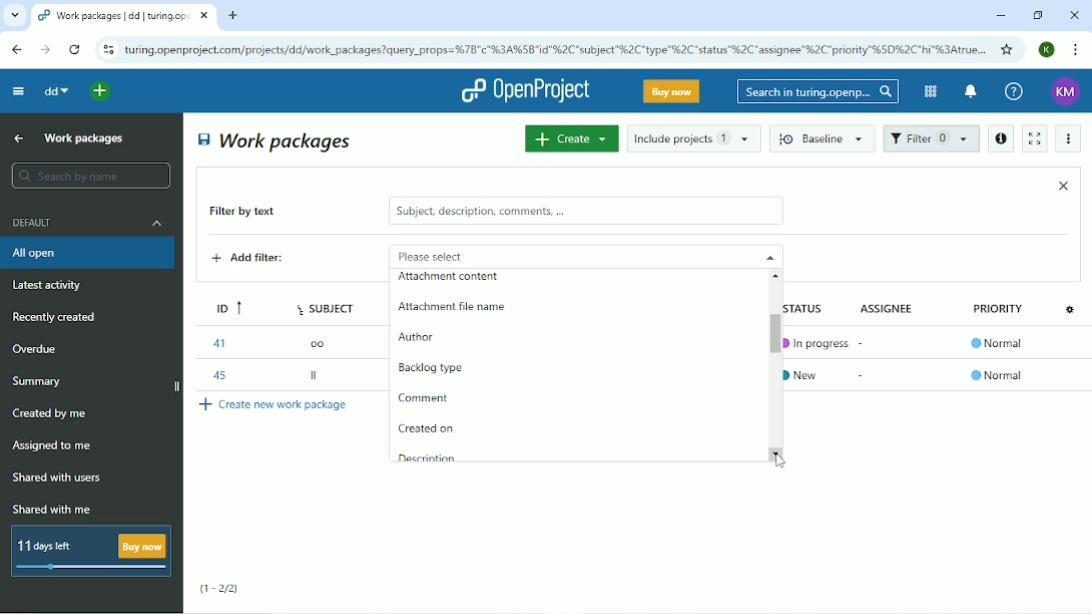  Describe the element at coordinates (1000, 345) in the screenshot. I see `Normal` at that location.